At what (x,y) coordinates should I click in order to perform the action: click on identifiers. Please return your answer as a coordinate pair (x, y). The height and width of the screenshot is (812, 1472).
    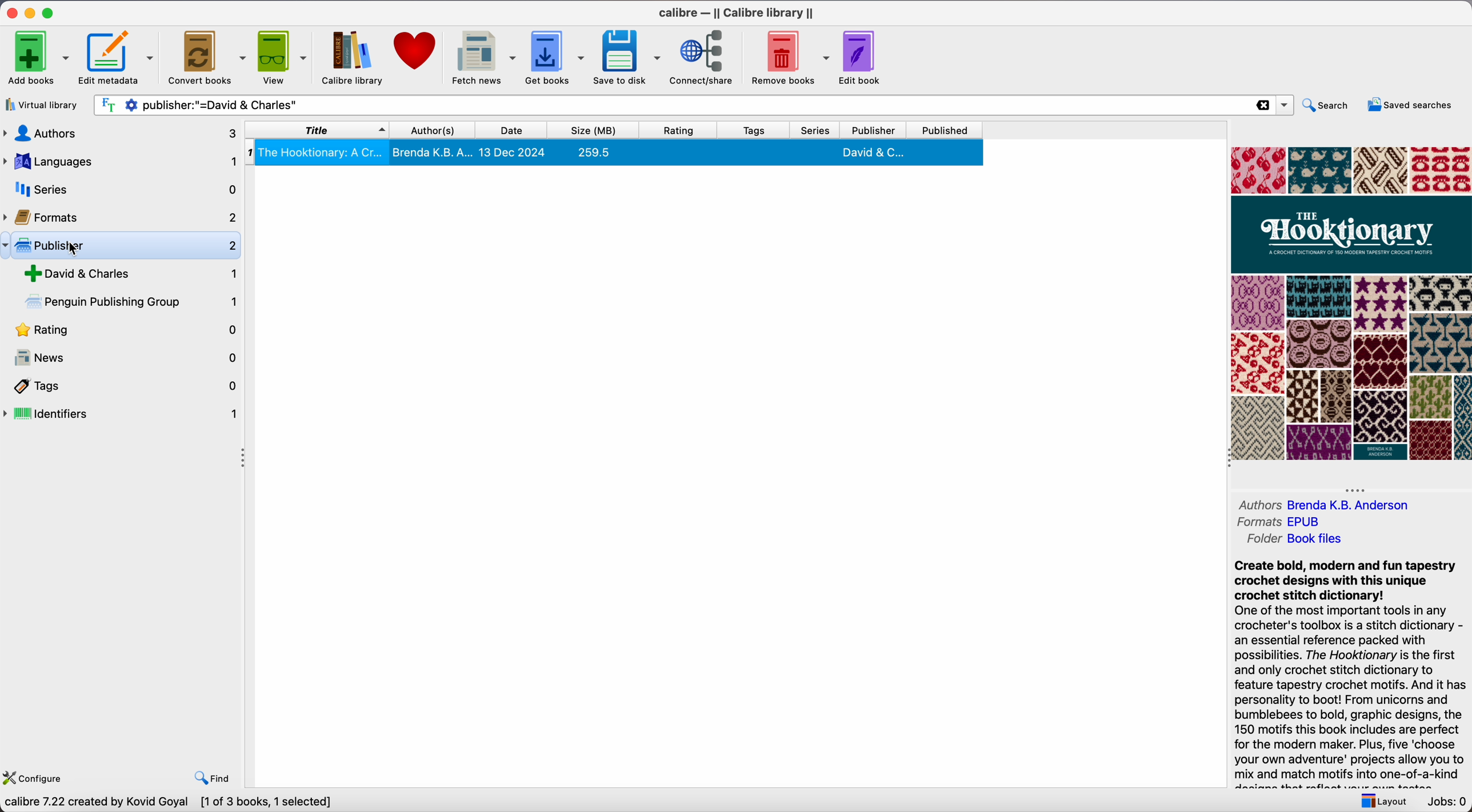
    Looking at the image, I should click on (122, 415).